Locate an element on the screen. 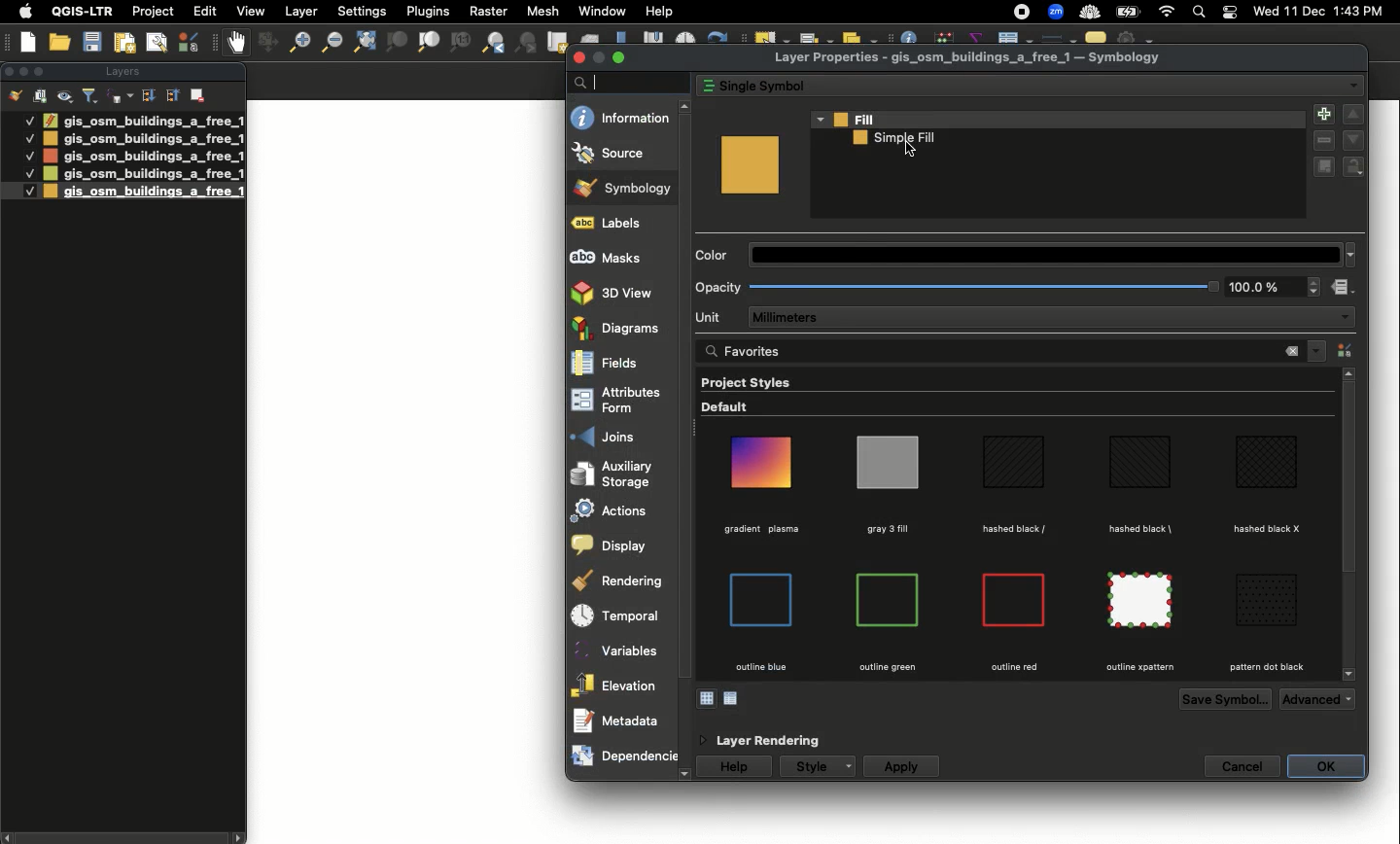 This screenshot has height=844, width=1400. Wif is located at coordinates (1167, 13).